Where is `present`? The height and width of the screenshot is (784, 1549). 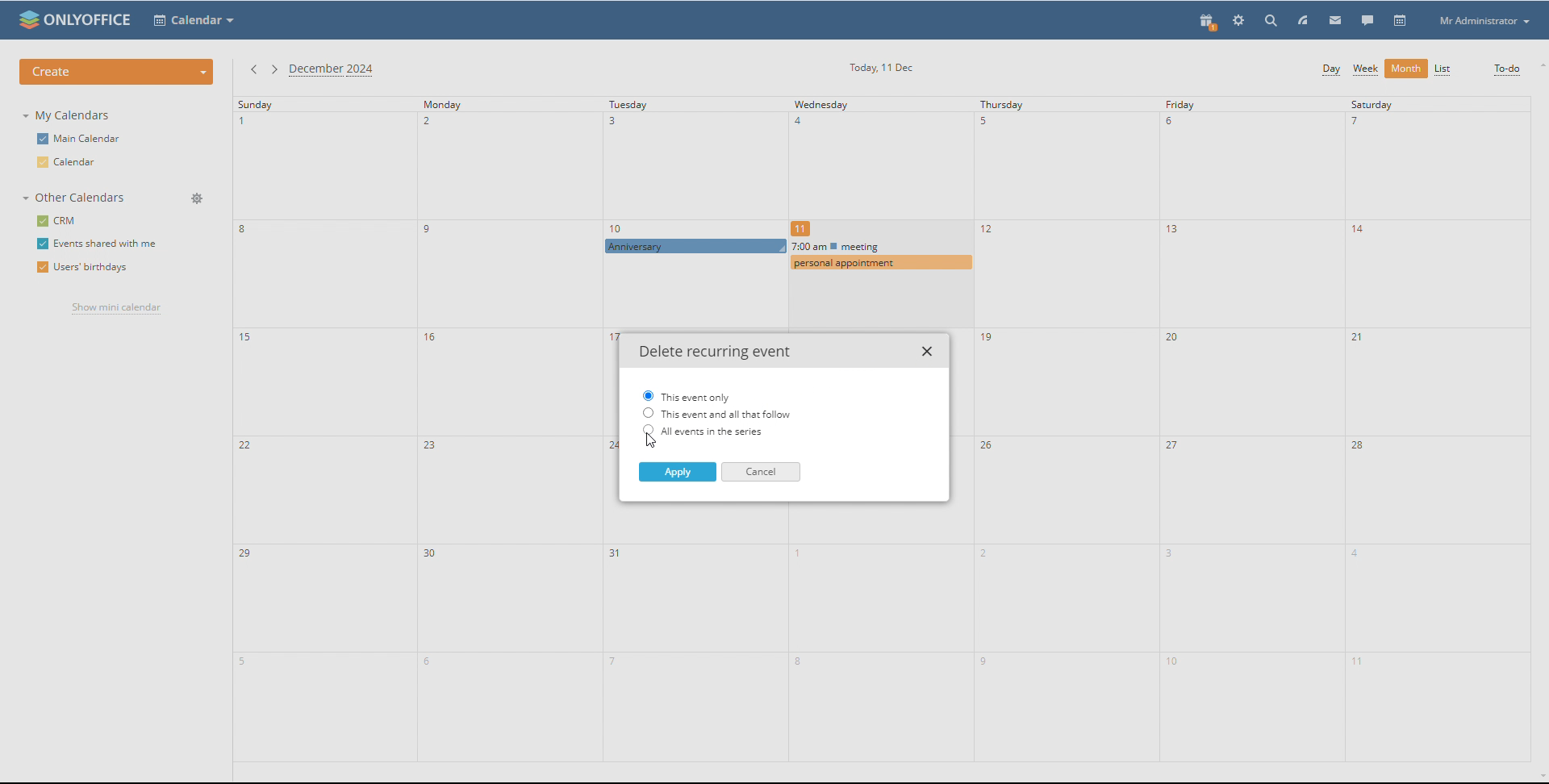 present is located at coordinates (1209, 23).